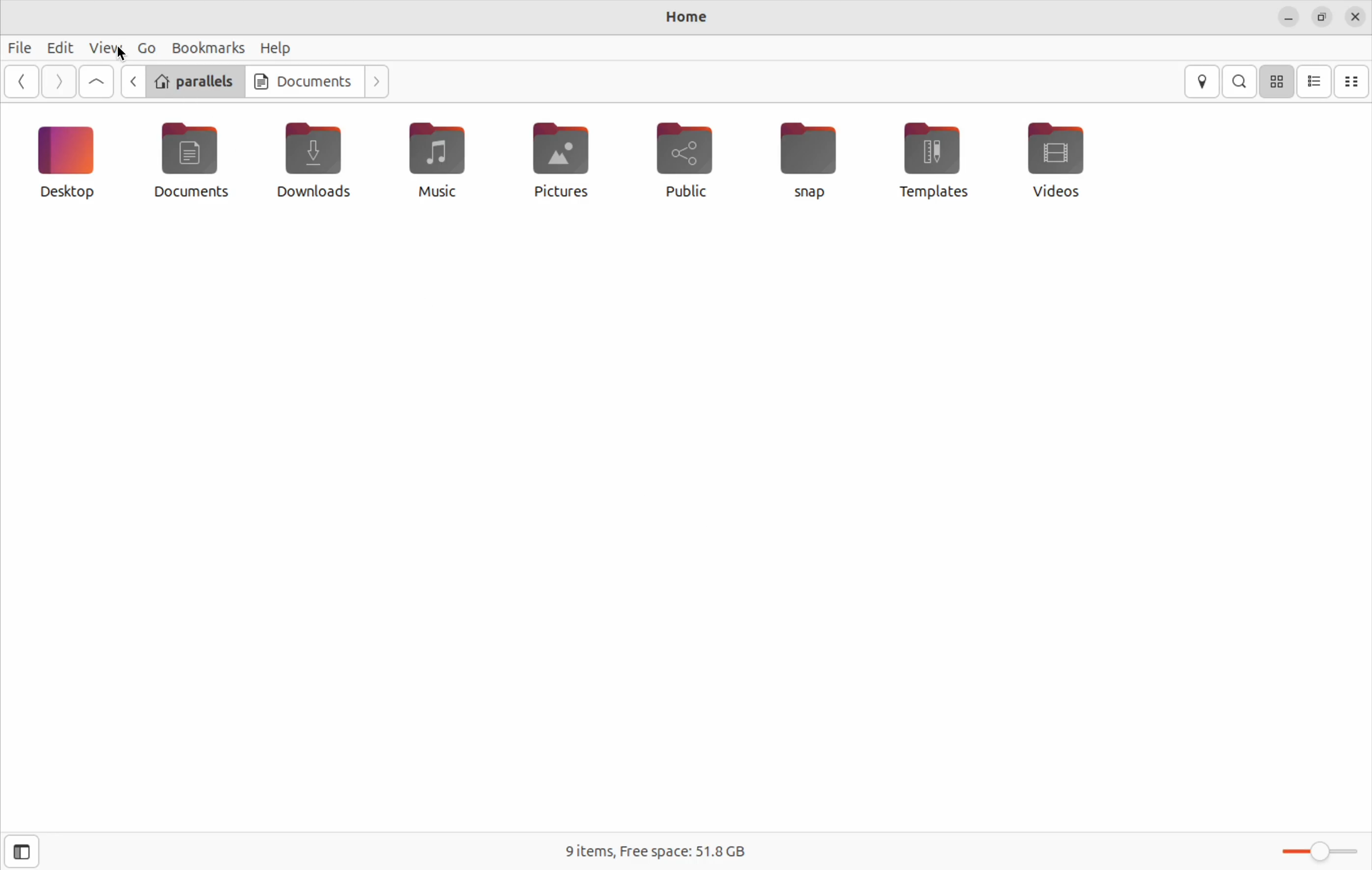  I want to click on next, so click(375, 81).